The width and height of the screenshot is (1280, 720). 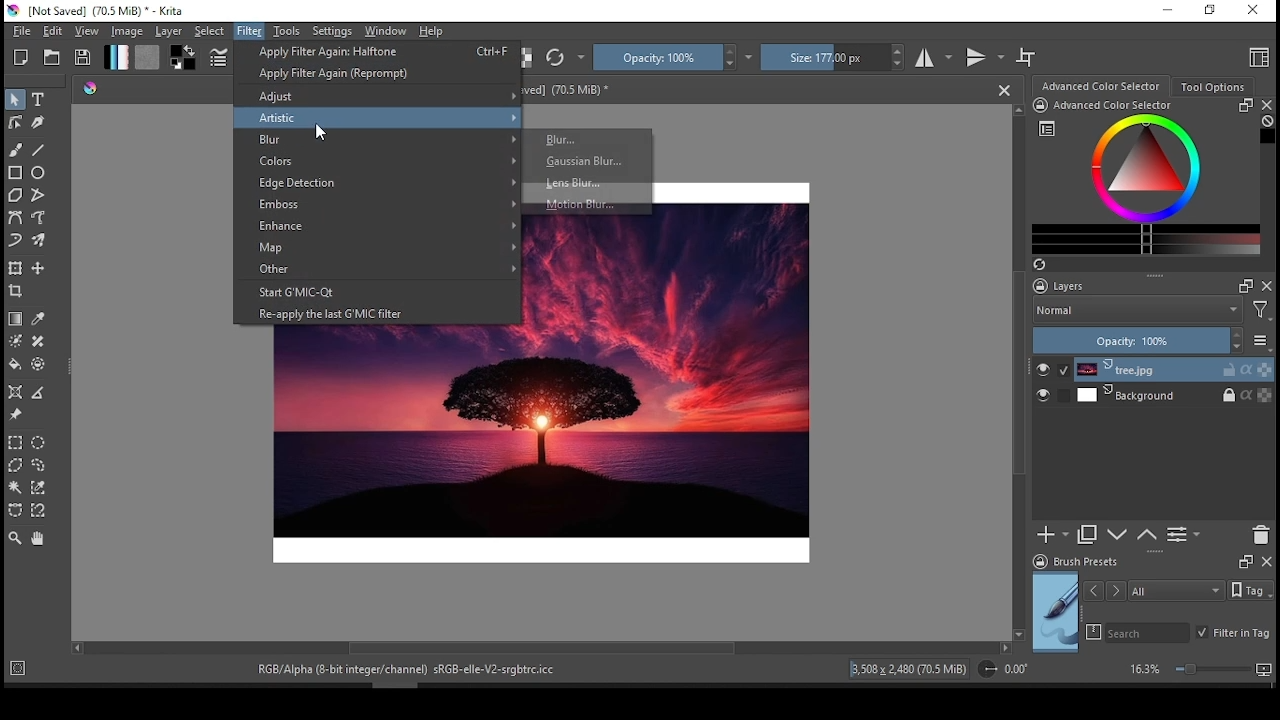 I want to click on colorize mask tool, so click(x=16, y=341).